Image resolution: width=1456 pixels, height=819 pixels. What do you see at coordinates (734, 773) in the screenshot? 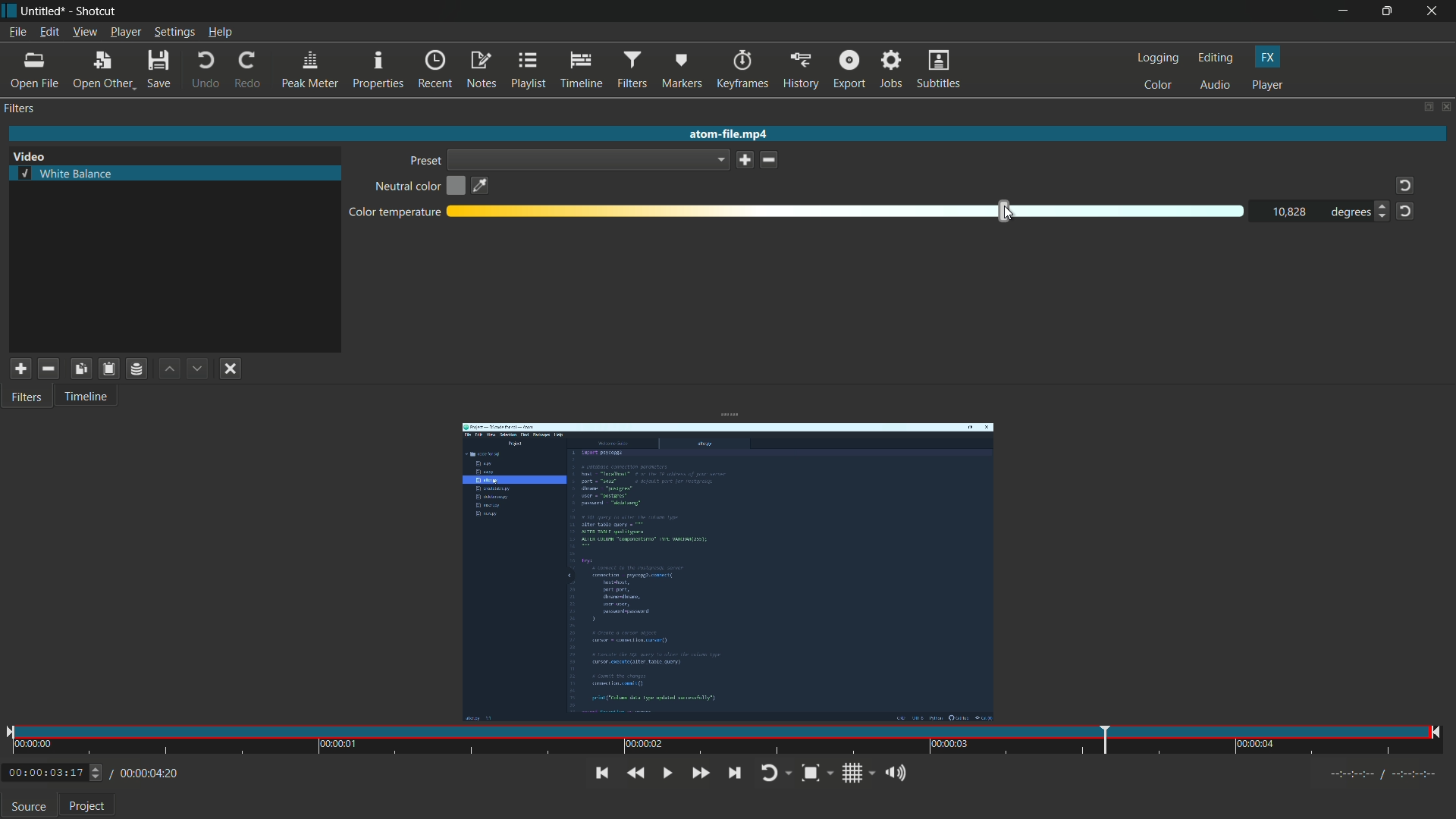
I see `skip to next point` at bounding box center [734, 773].